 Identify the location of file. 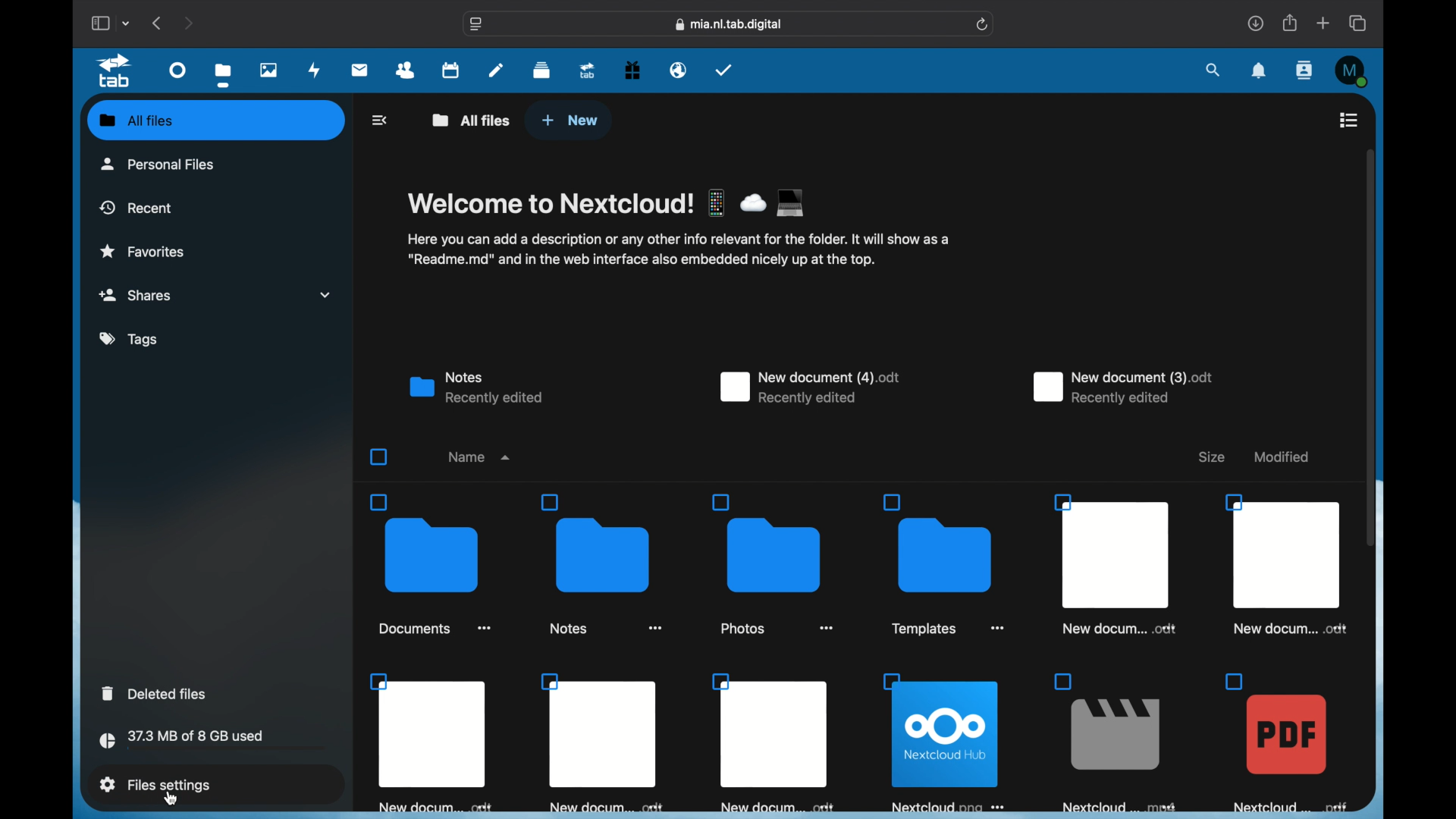
(431, 563).